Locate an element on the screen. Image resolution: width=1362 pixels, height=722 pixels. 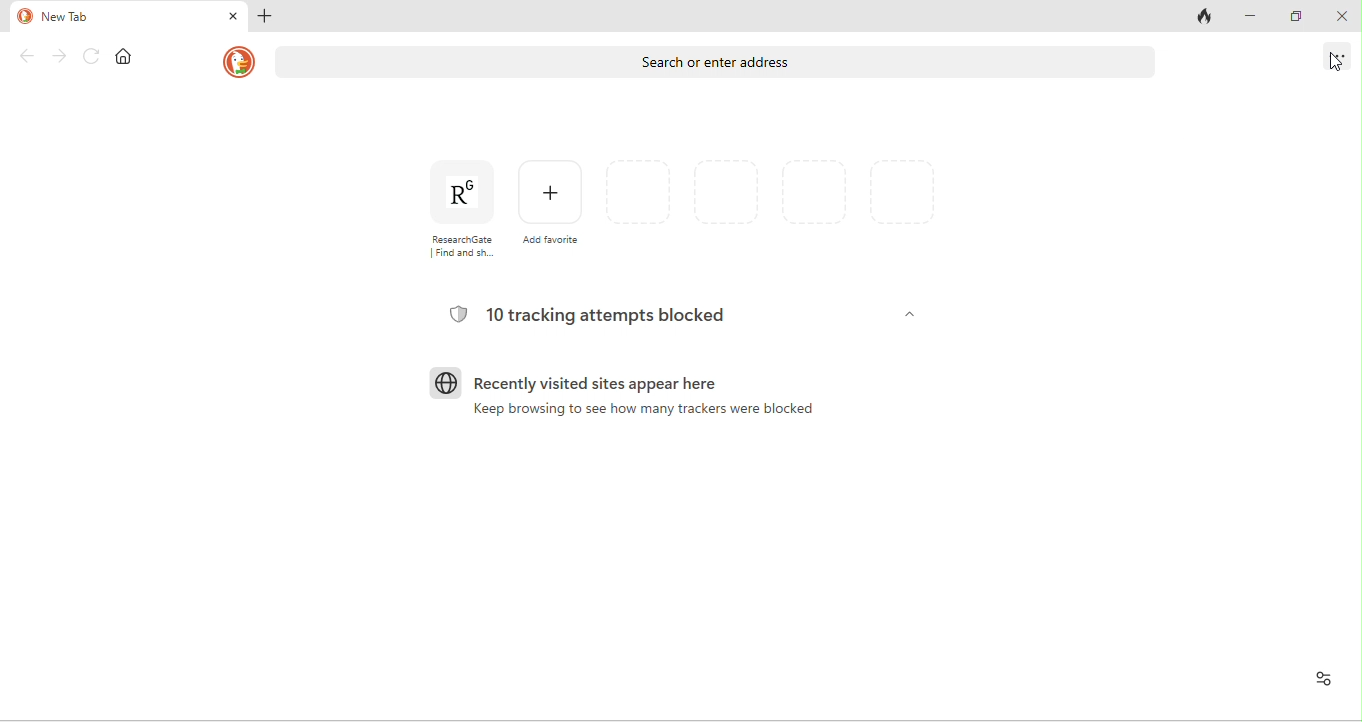
tracking logo is located at coordinates (458, 314).